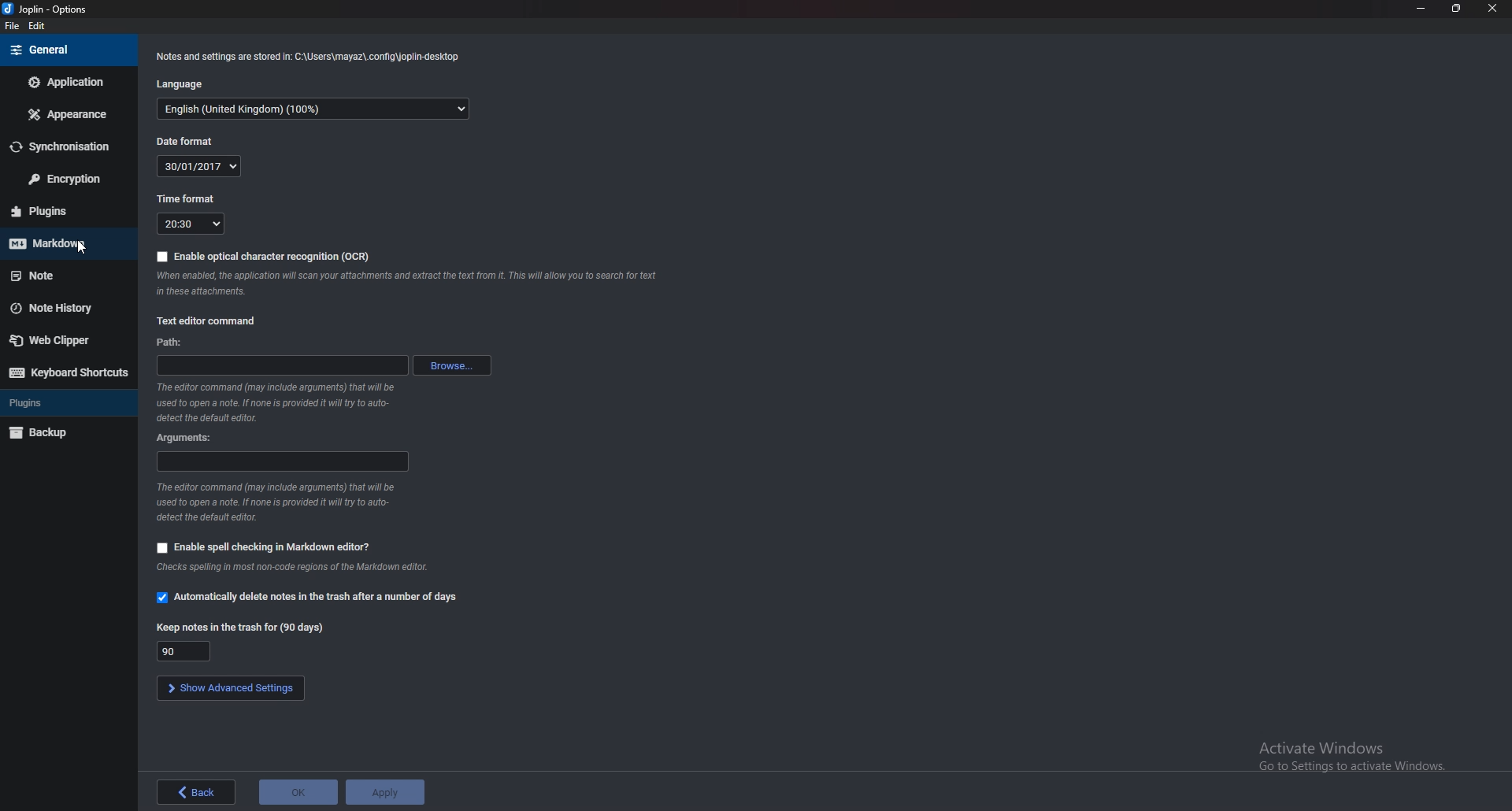  I want to click on Encryption, so click(68, 180).